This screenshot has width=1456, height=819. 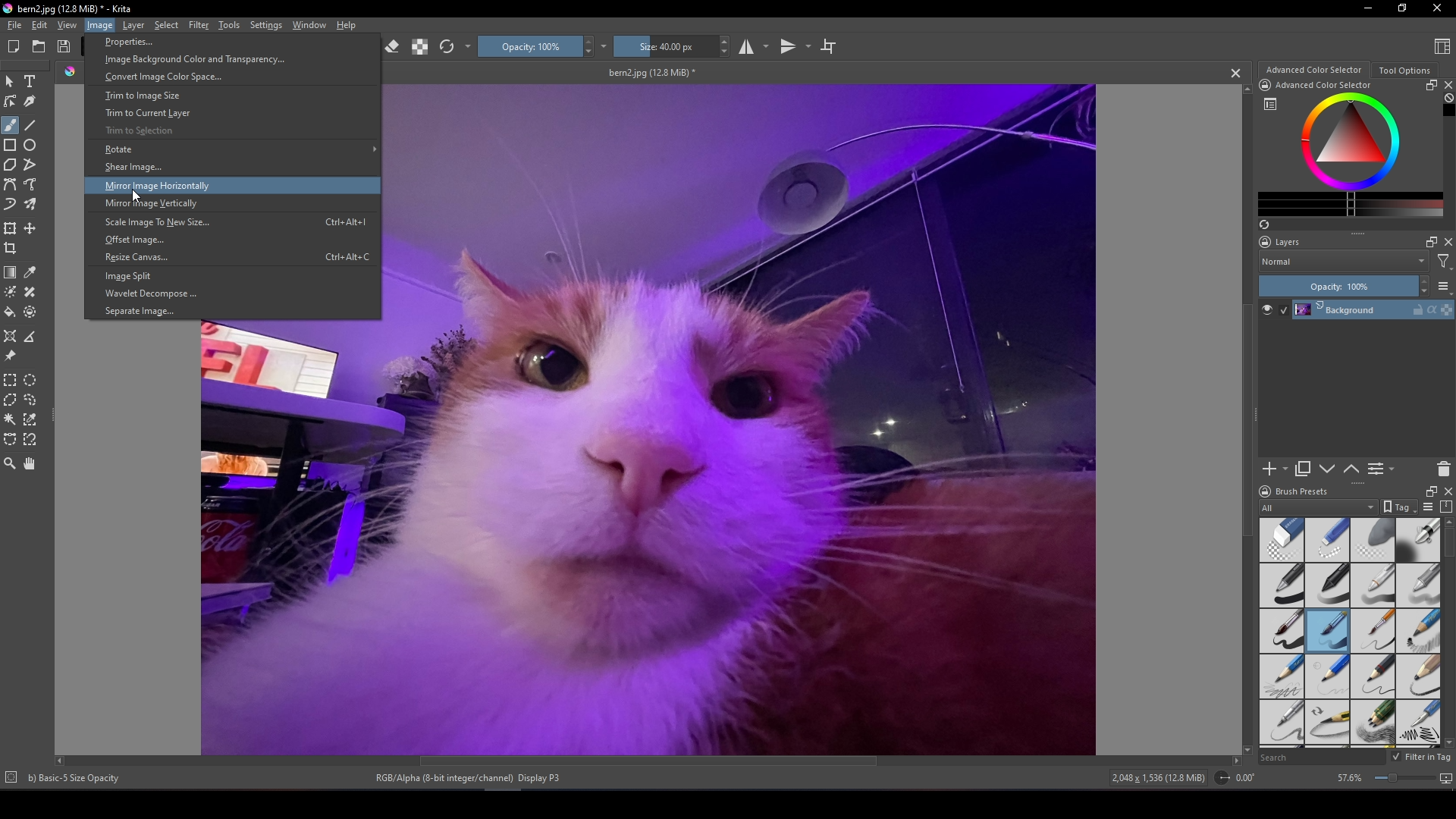 What do you see at coordinates (30, 272) in the screenshot?
I see `Sample a color from image or current layer` at bounding box center [30, 272].